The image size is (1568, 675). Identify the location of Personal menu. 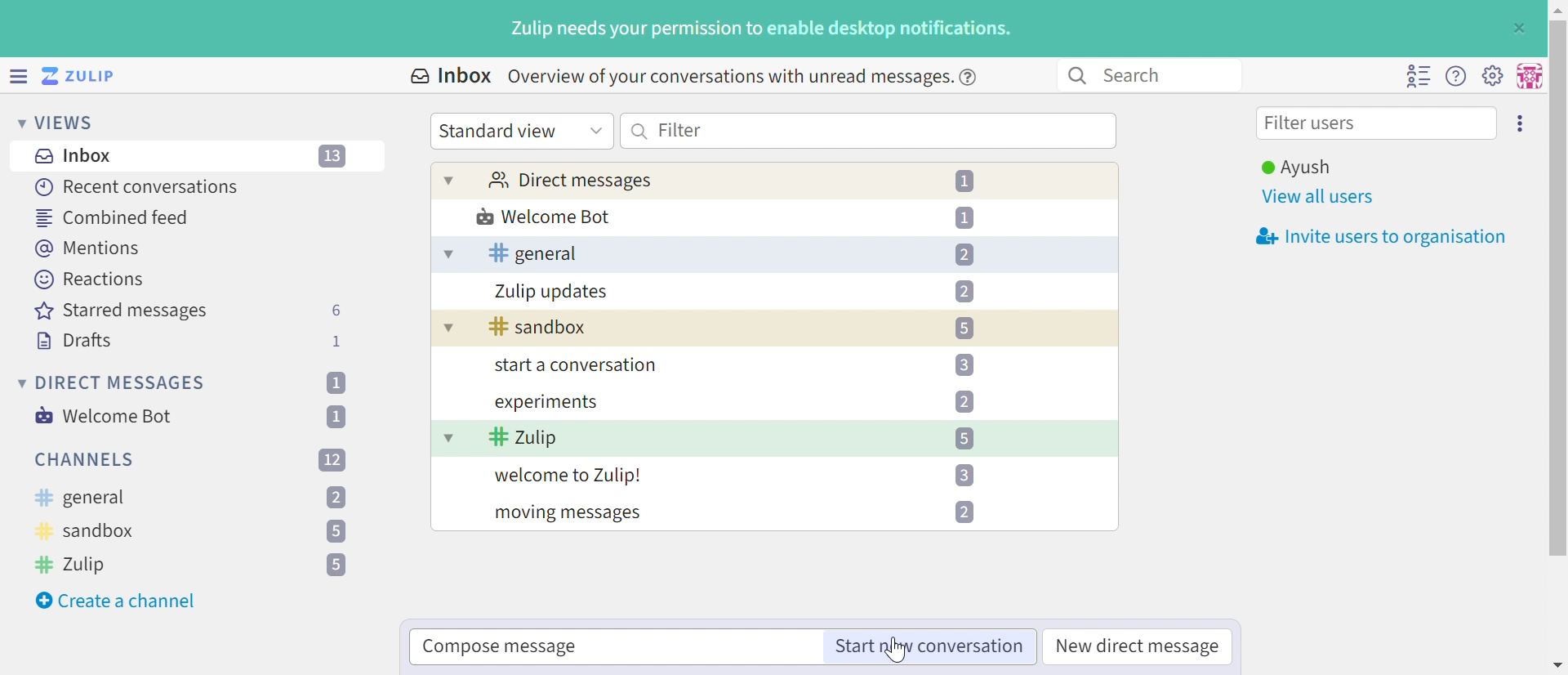
(1527, 76).